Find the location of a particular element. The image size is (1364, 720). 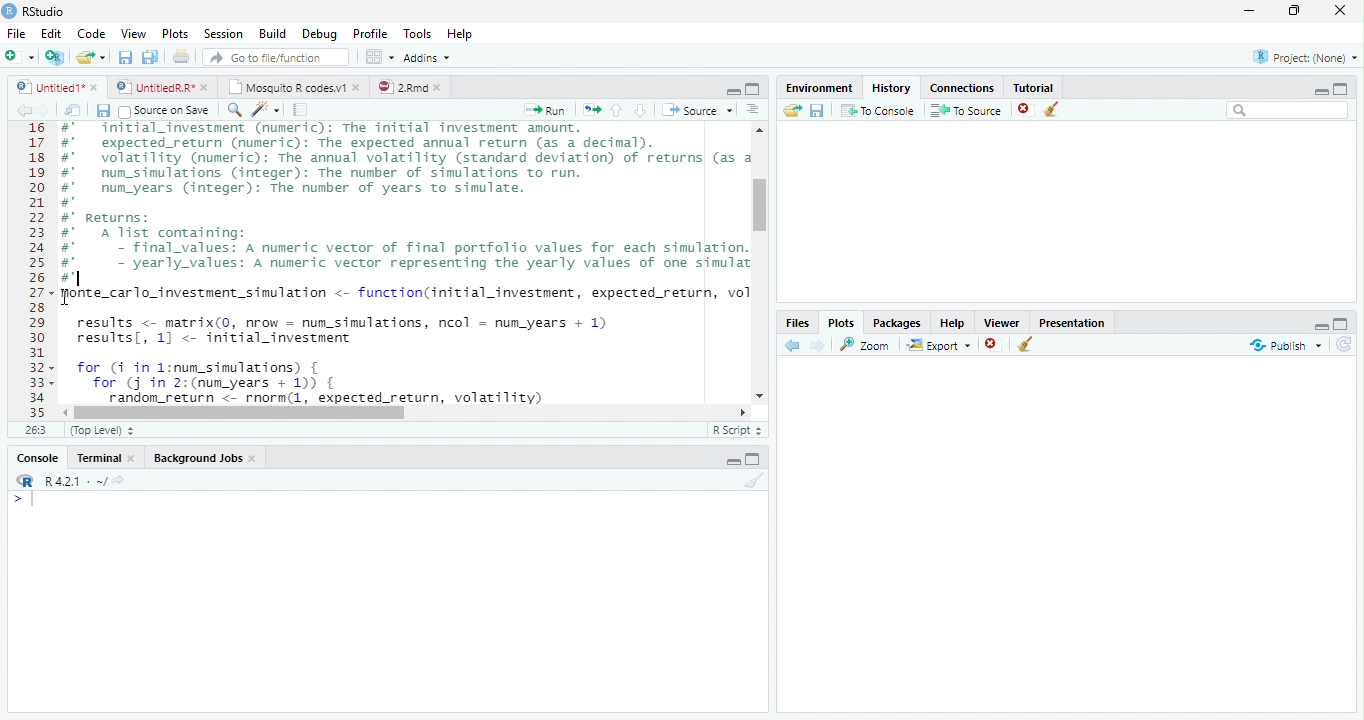

Save current file is located at coordinates (124, 57).